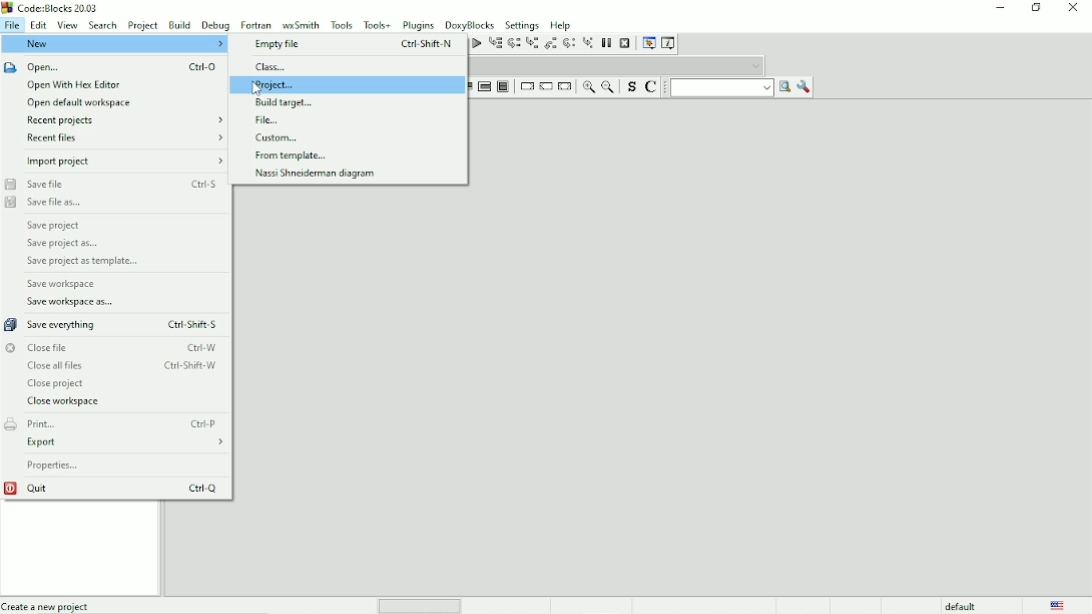 The width and height of the screenshot is (1092, 614). Describe the element at coordinates (273, 67) in the screenshot. I see `Class` at that location.